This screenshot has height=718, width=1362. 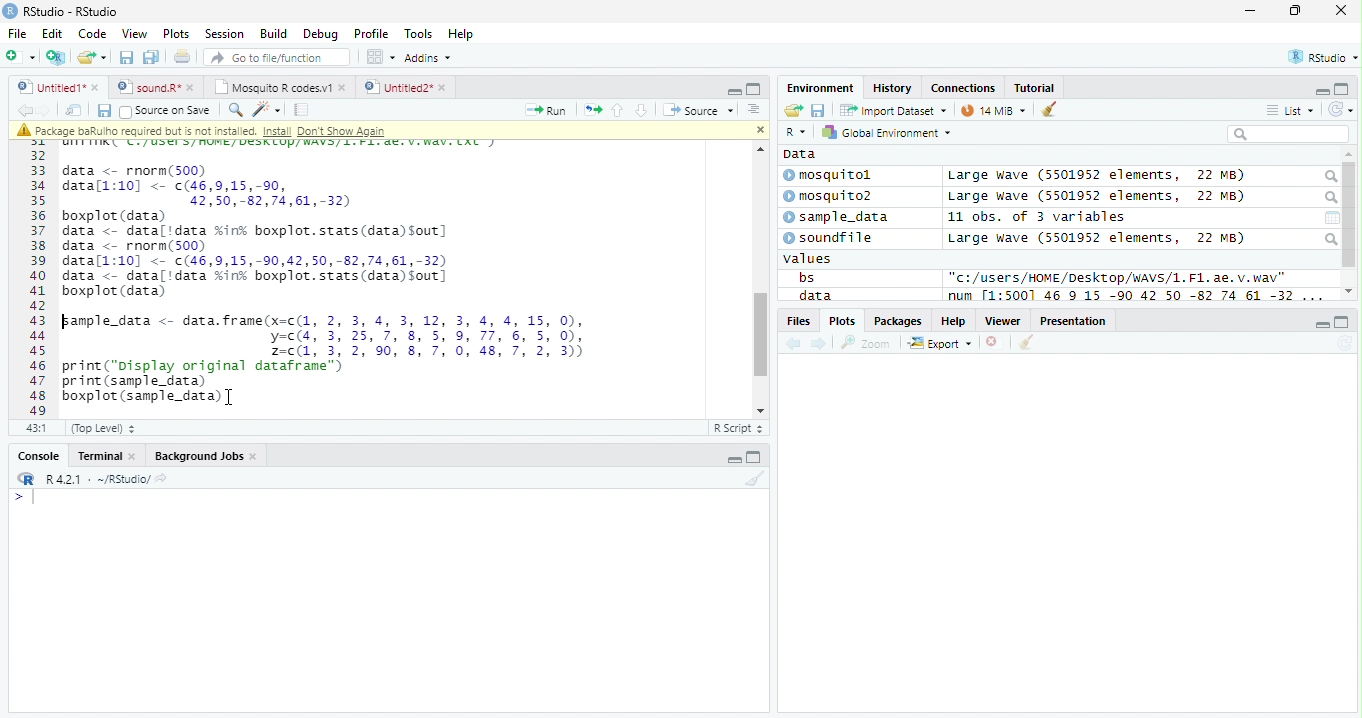 What do you see at coordinates (1329, 198) in the screenshot?
I see `search` at bounding box center [1329, 198].